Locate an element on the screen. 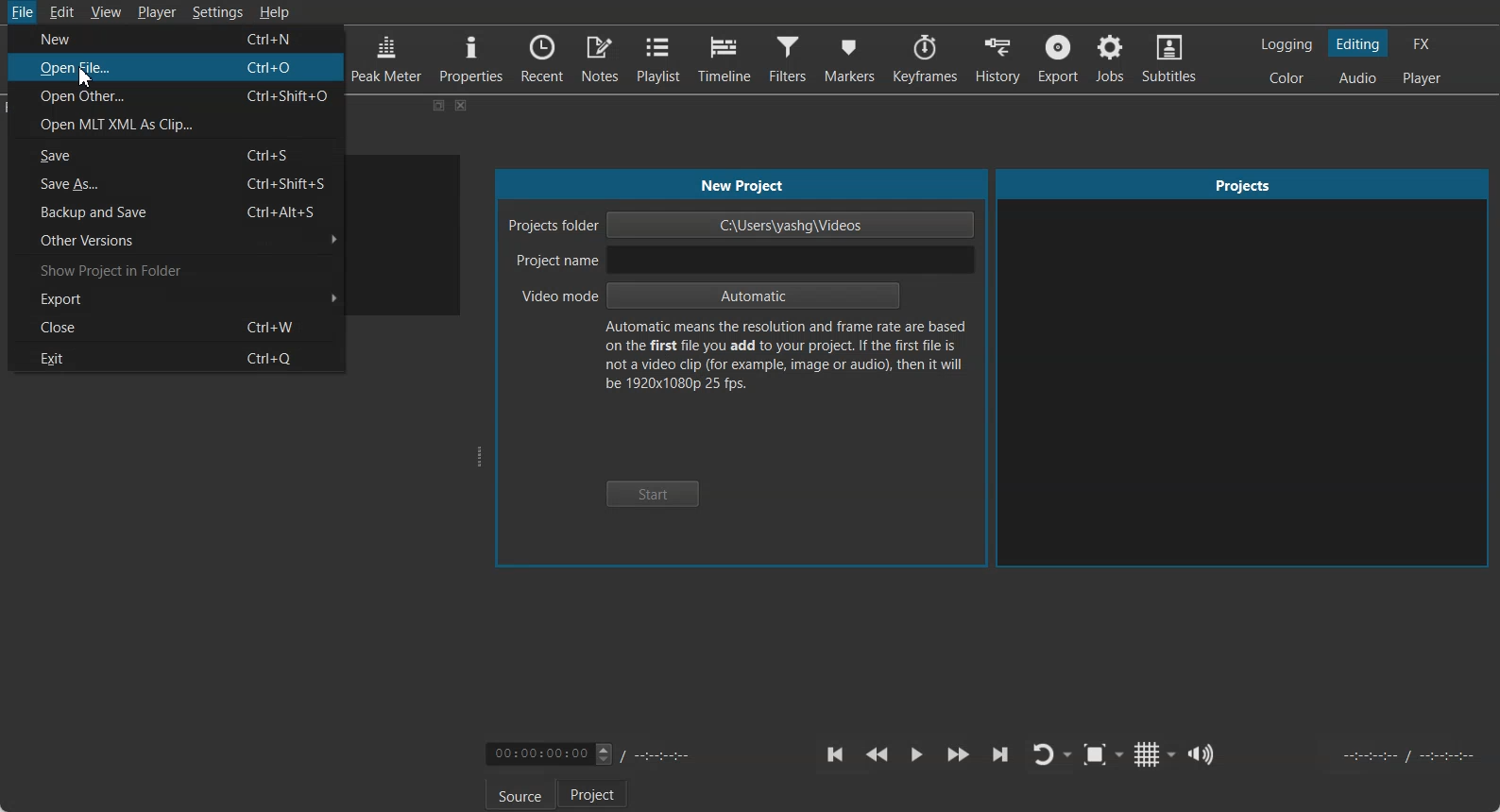  Text is located at coordinates (783, 355).